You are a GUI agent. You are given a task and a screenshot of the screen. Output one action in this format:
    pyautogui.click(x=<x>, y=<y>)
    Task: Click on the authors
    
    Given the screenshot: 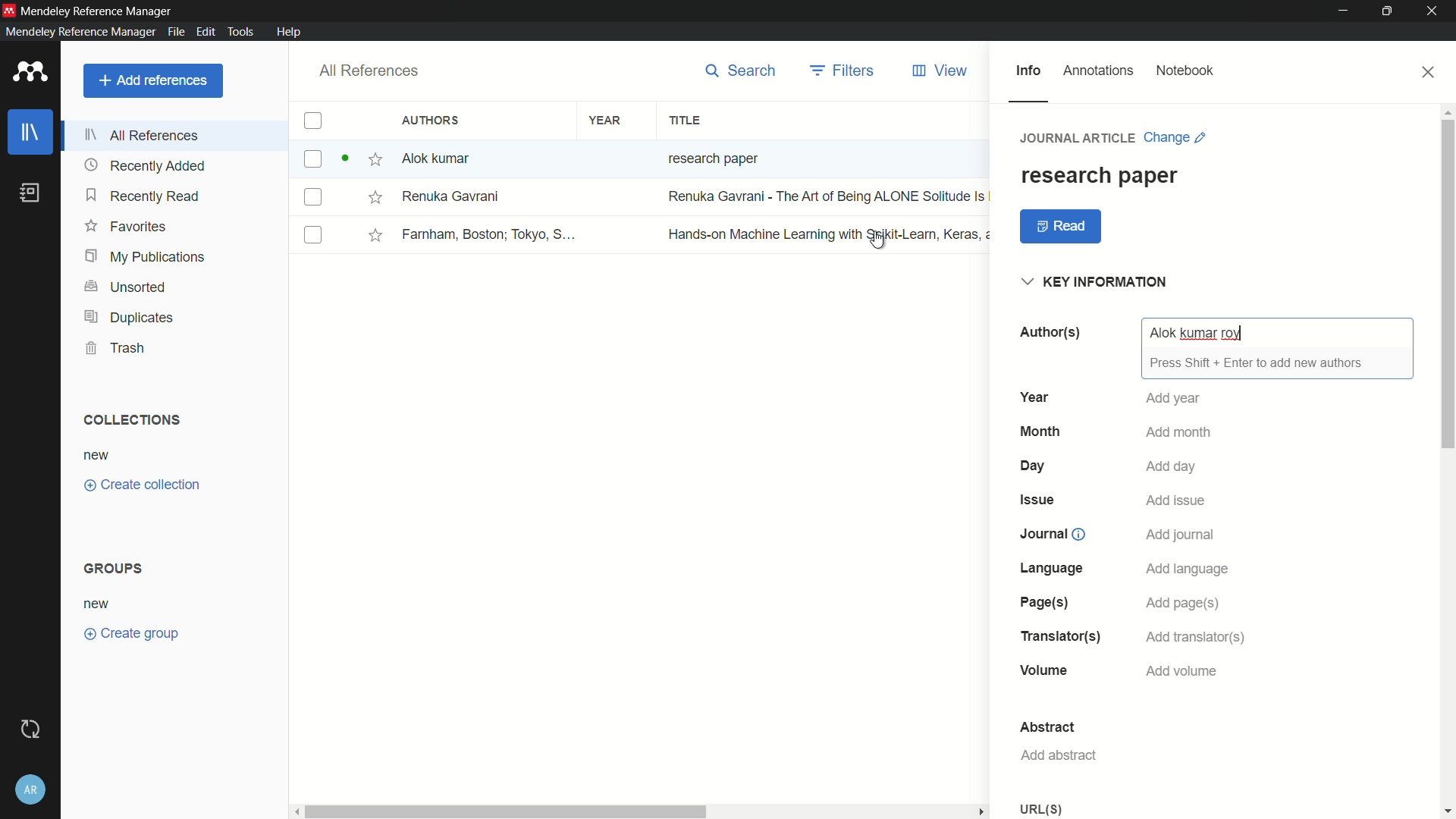 What is the action you would take?
    pyautogui.click(x=433, y=120)
    